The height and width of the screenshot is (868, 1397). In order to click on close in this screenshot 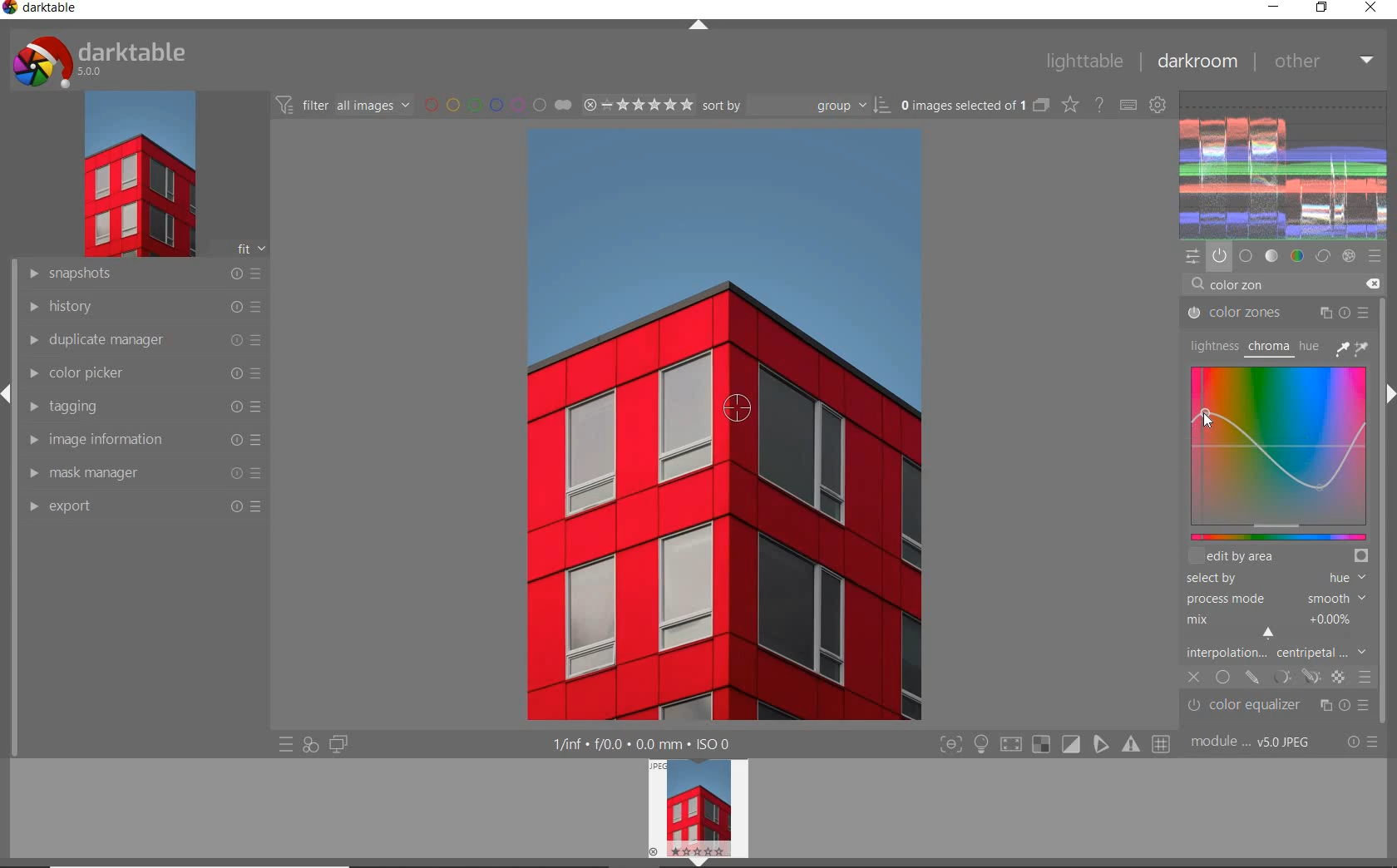, I will do `click(1371, 8)`.